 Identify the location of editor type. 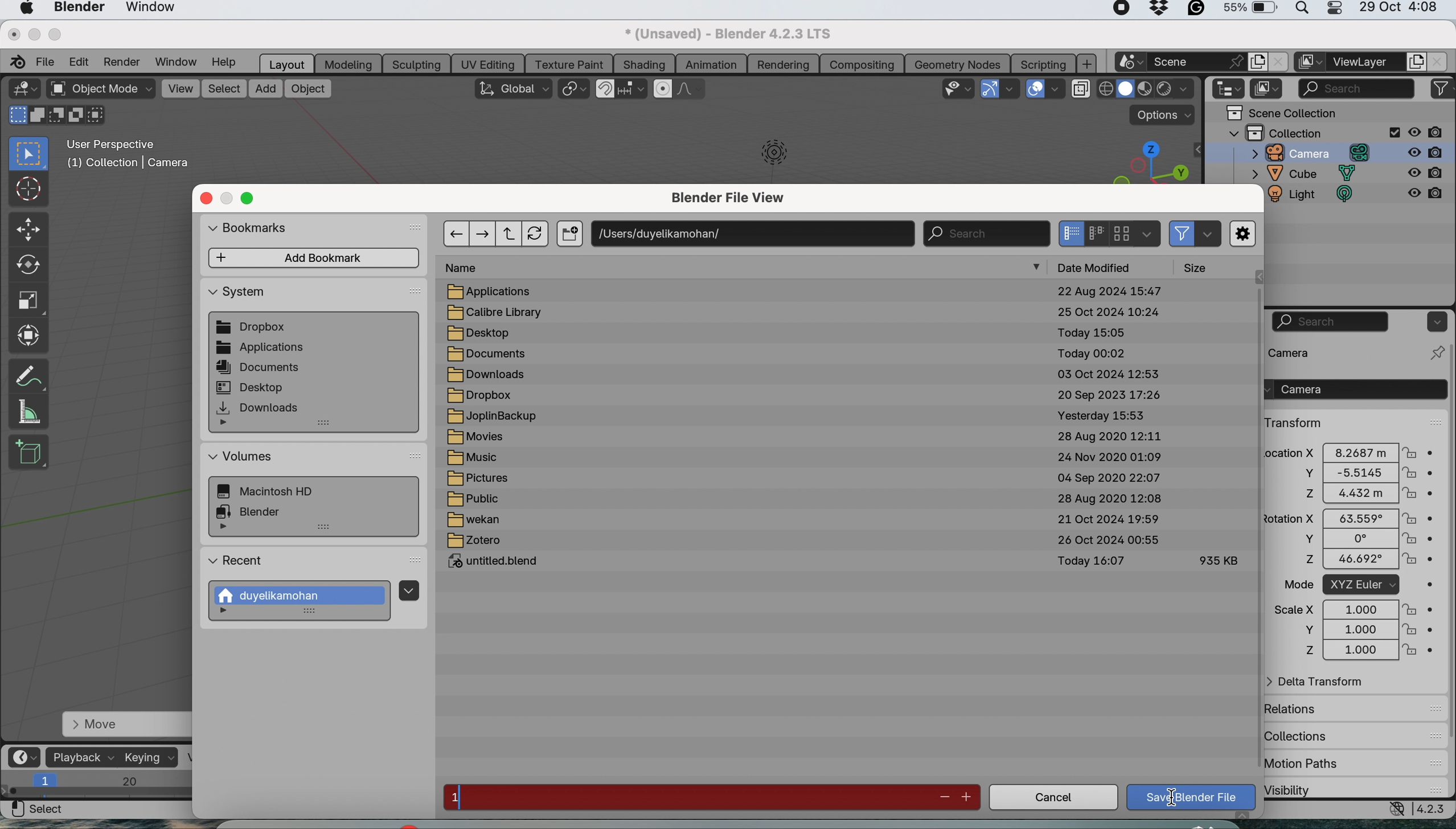
(1230, 89).